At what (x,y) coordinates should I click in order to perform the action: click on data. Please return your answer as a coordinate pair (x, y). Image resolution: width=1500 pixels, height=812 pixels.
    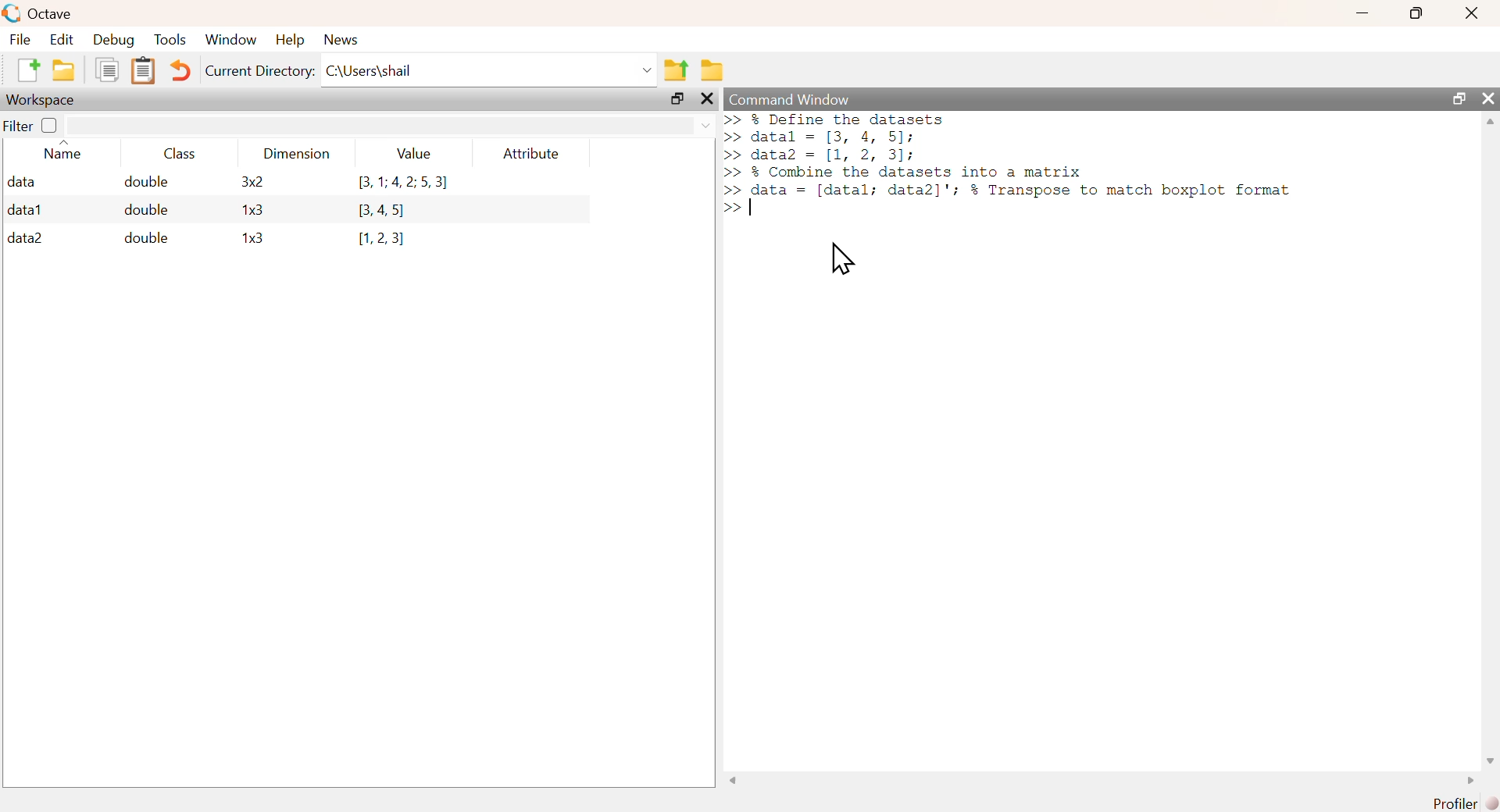
    Looking at the image, I should click on (23, 181).